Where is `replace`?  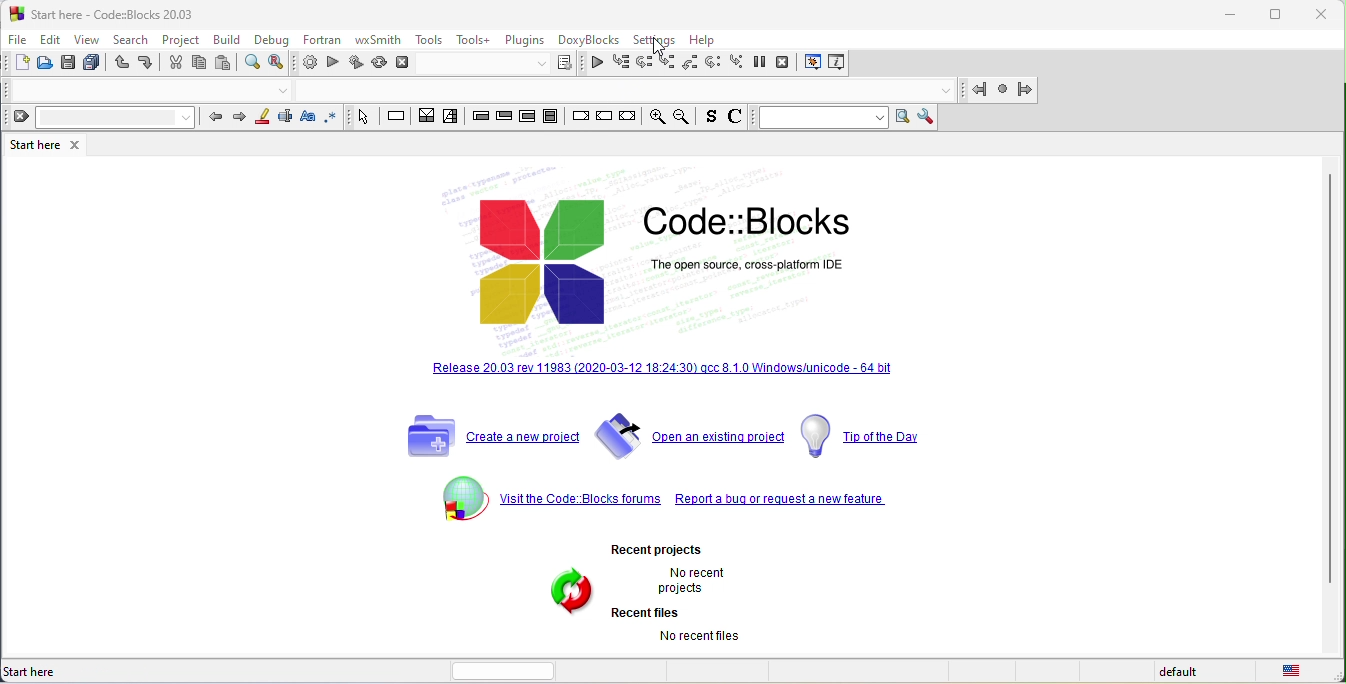
replace is located at coordinates (279, 66).